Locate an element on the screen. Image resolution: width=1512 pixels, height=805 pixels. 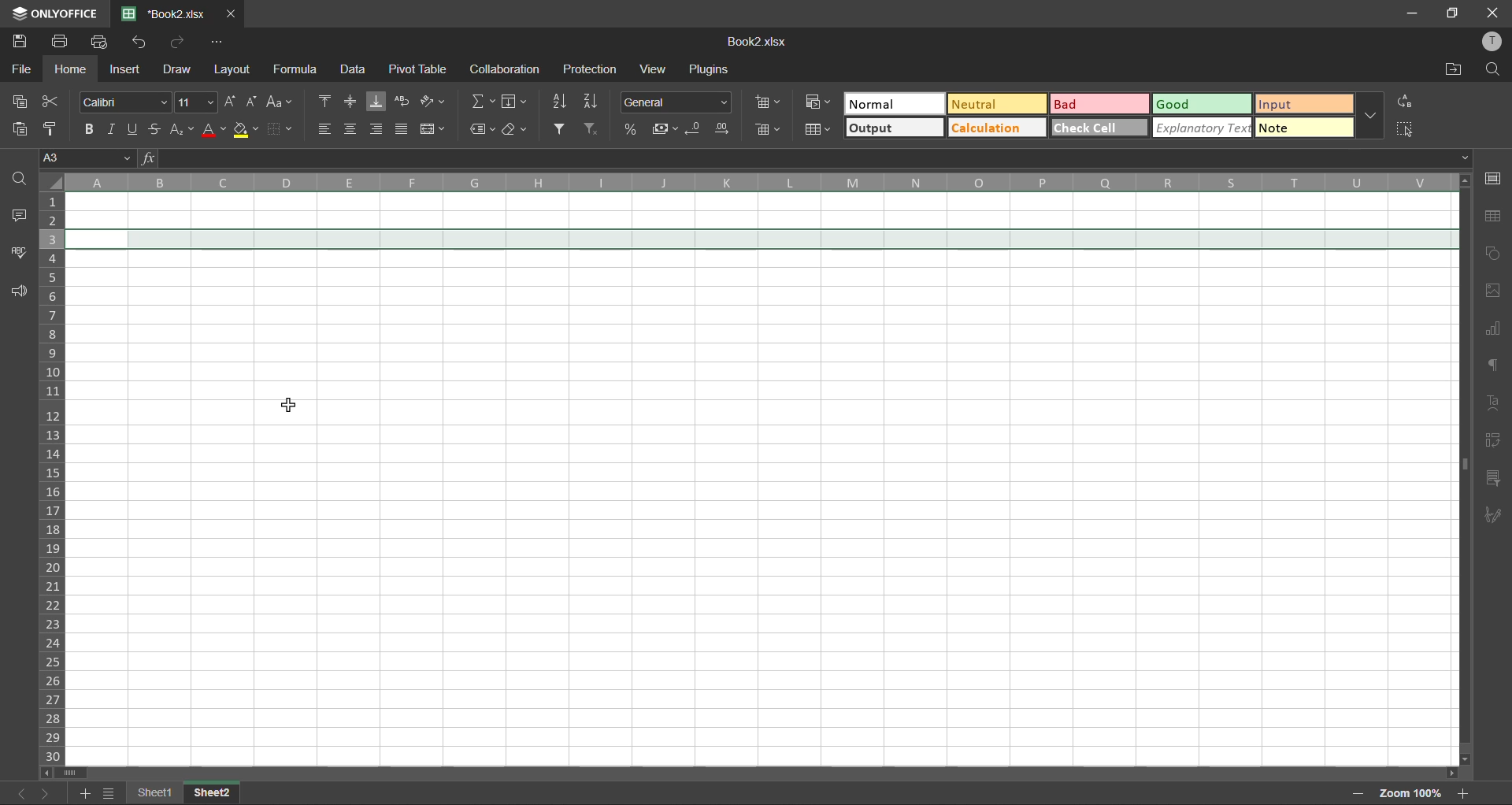
Book2.xlsx is located at coordinates (764, 42).